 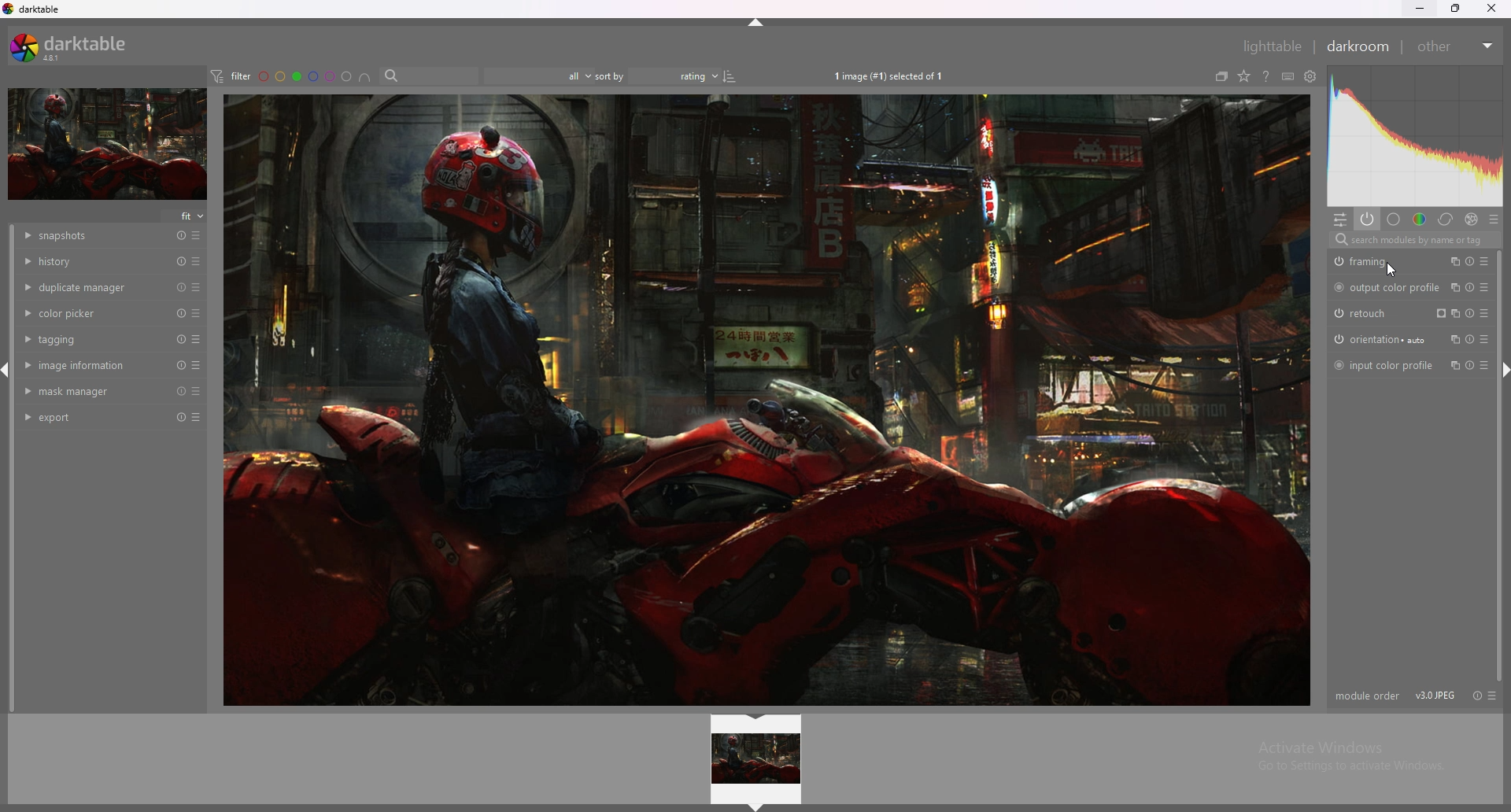 I want to click on quic access panel, so click(x=1340, y=220).